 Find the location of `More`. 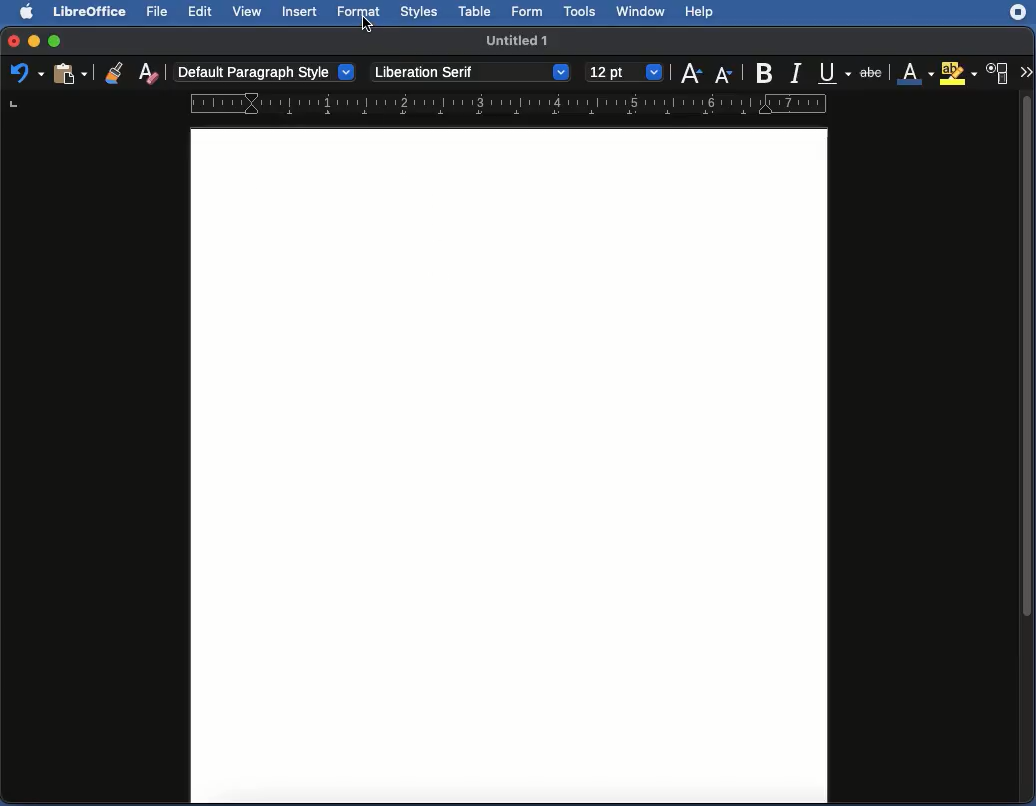

More is located at coordinates (1026, 70).